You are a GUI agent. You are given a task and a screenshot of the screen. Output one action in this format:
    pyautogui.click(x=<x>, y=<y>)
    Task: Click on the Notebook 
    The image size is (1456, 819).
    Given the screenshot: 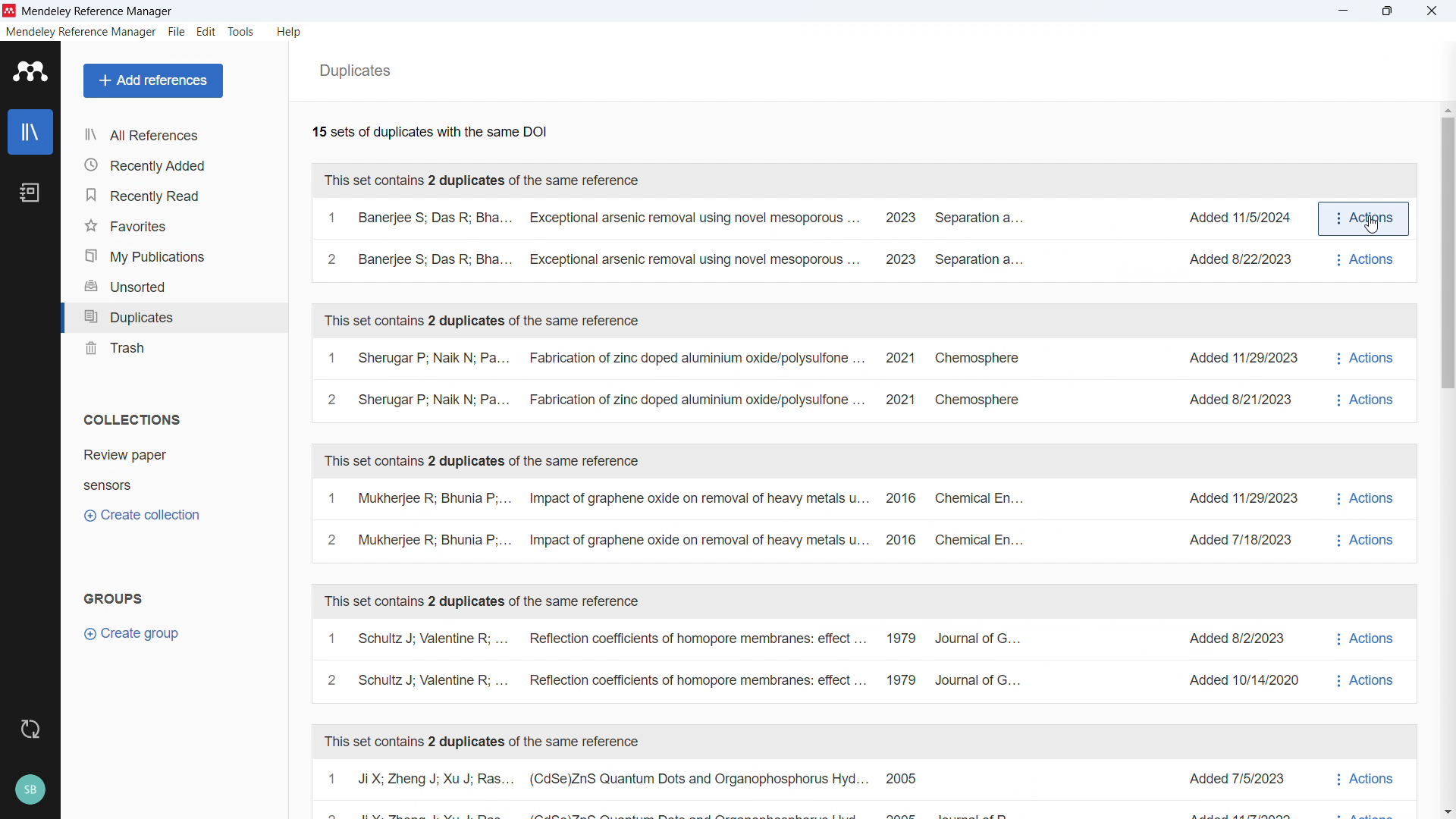 What is the action you would take?
    pyautogui.click(x=30, y=193)
    